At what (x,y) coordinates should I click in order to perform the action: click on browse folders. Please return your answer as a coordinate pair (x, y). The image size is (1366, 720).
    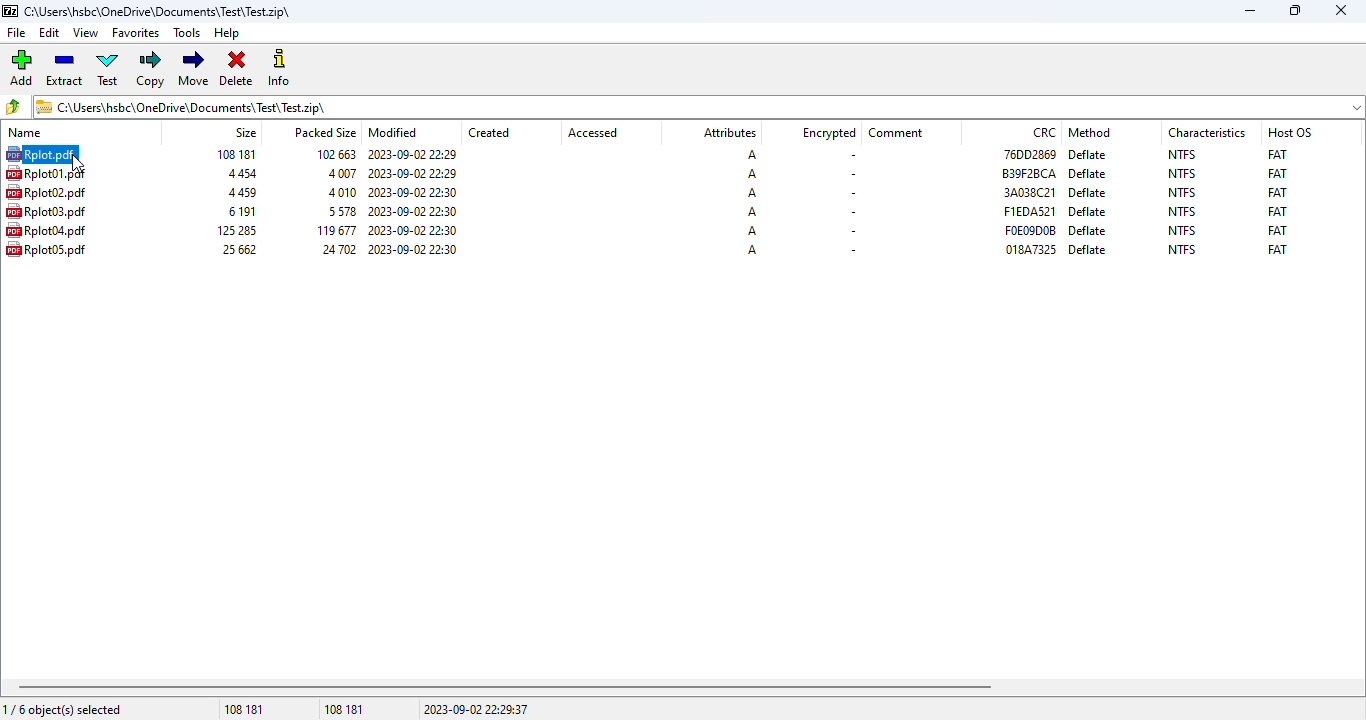
    Looking at the image, I should click on (14, 107).